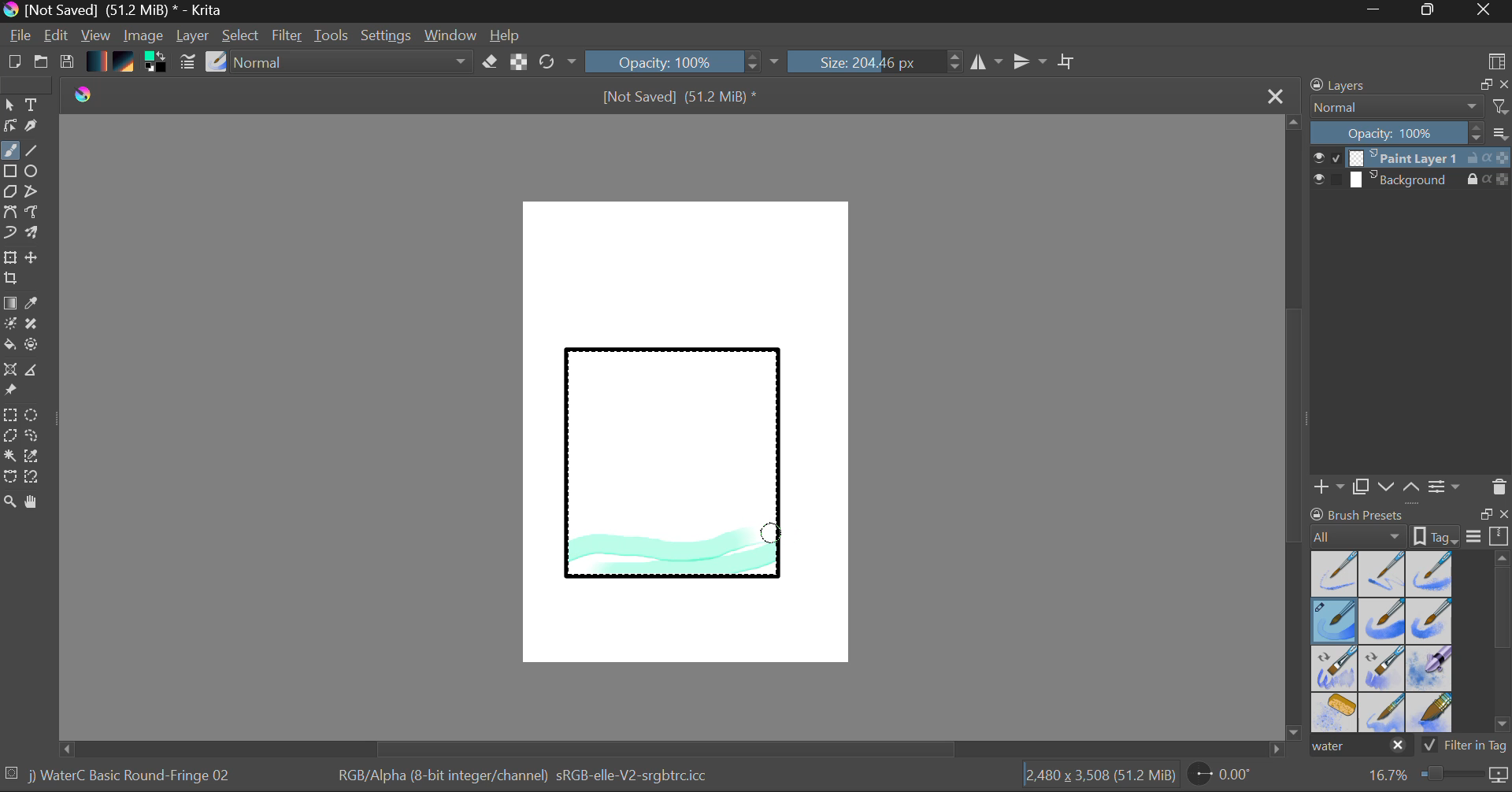 This screenshot has height=792, width=1512. I want to click on Calligraphic Tool, so click(37, 129).